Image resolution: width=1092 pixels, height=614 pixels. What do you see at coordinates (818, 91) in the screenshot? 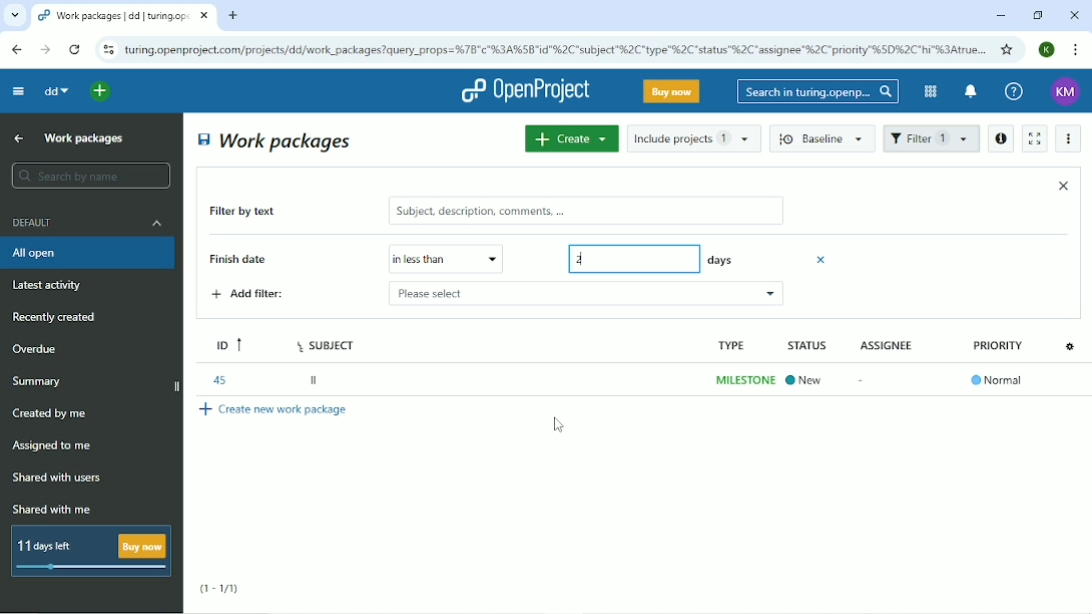
I see `Search` at bounding box center [818, 91].